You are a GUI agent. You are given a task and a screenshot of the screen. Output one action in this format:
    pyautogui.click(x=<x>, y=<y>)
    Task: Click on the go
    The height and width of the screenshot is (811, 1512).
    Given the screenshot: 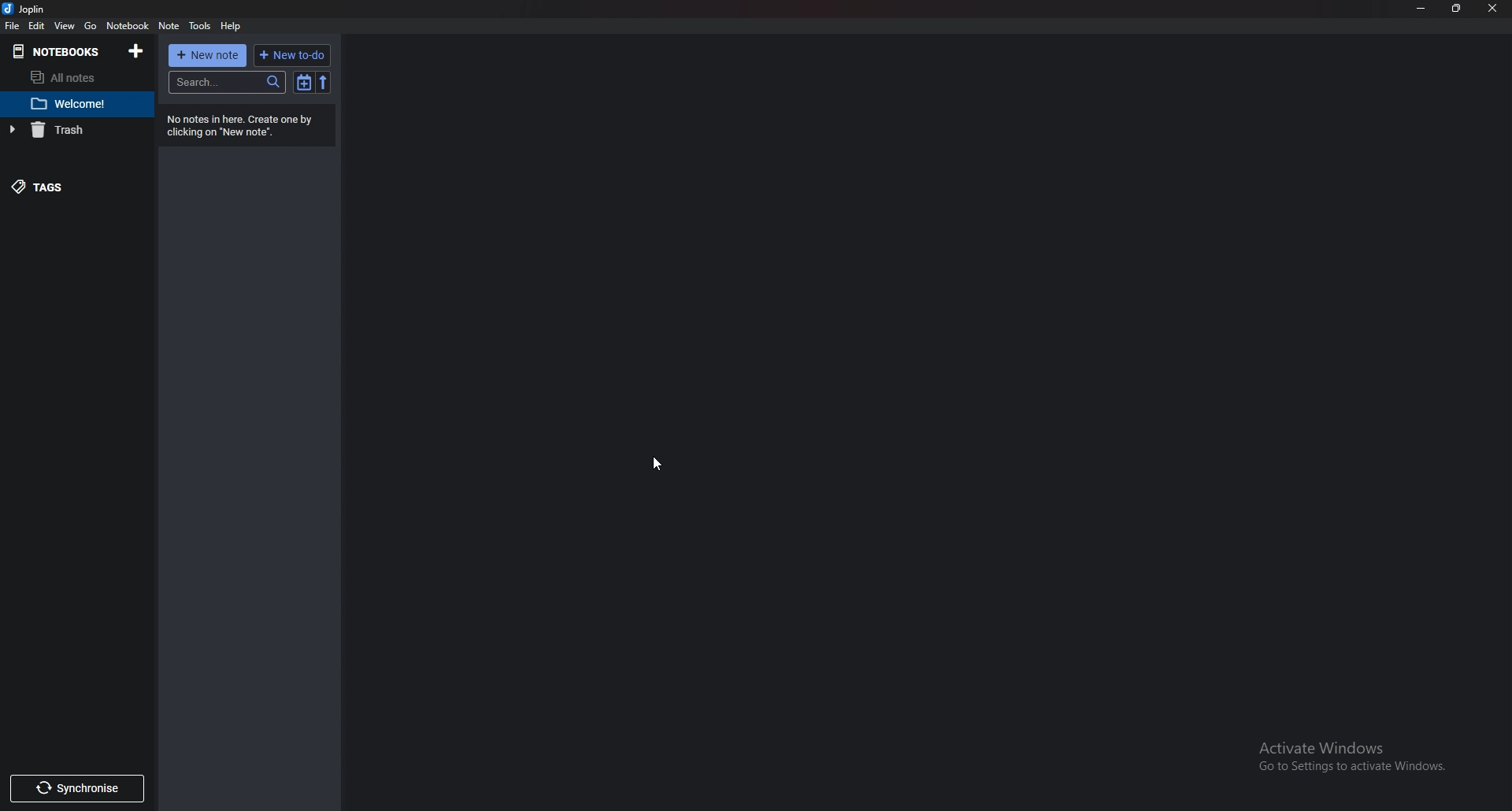 What is the action you would take?
    pyautogui.click(x=91, y=26)
    